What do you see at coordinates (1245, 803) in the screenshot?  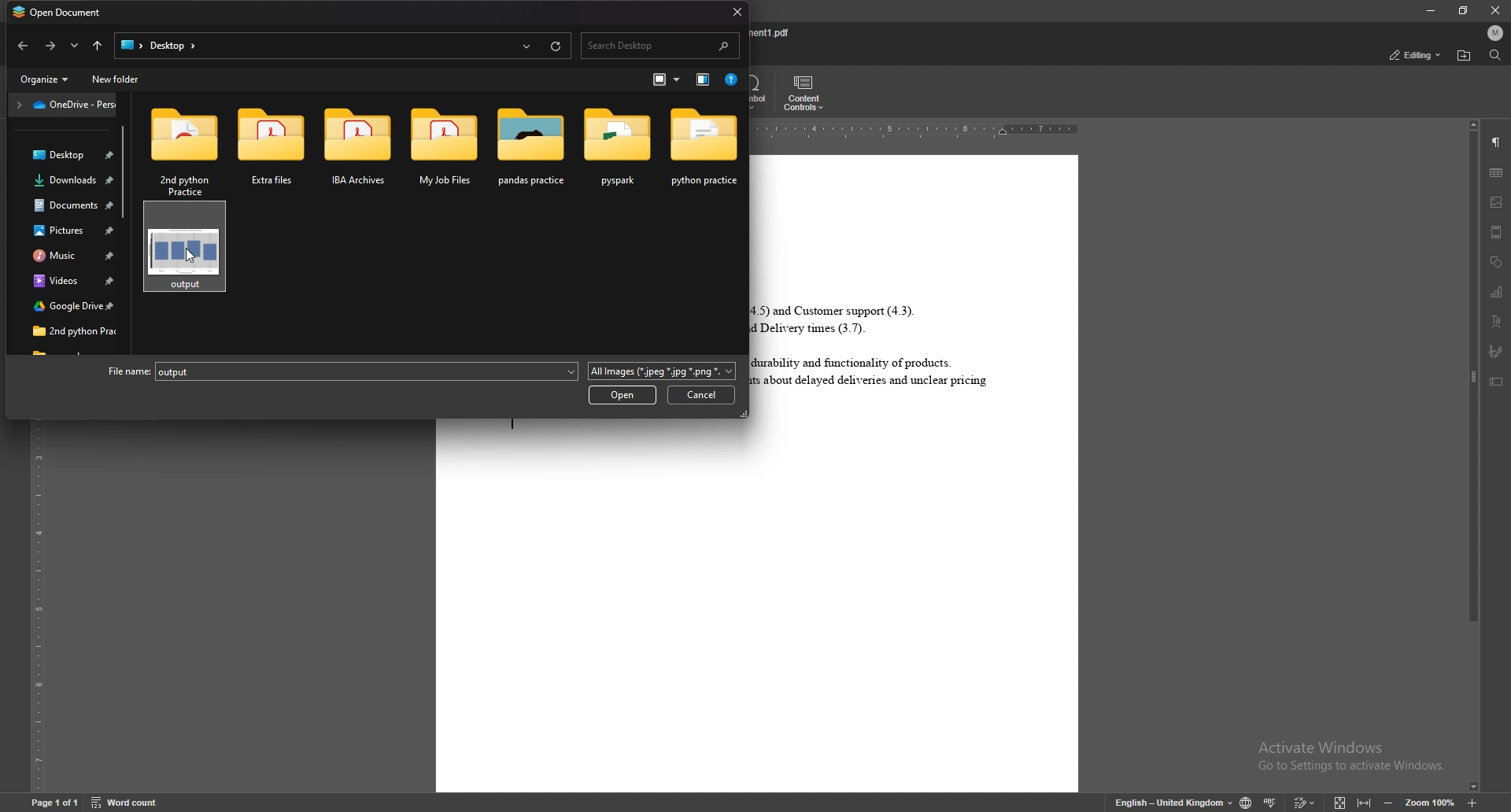 I see `change doc language` at bounding box center [1245, 803].